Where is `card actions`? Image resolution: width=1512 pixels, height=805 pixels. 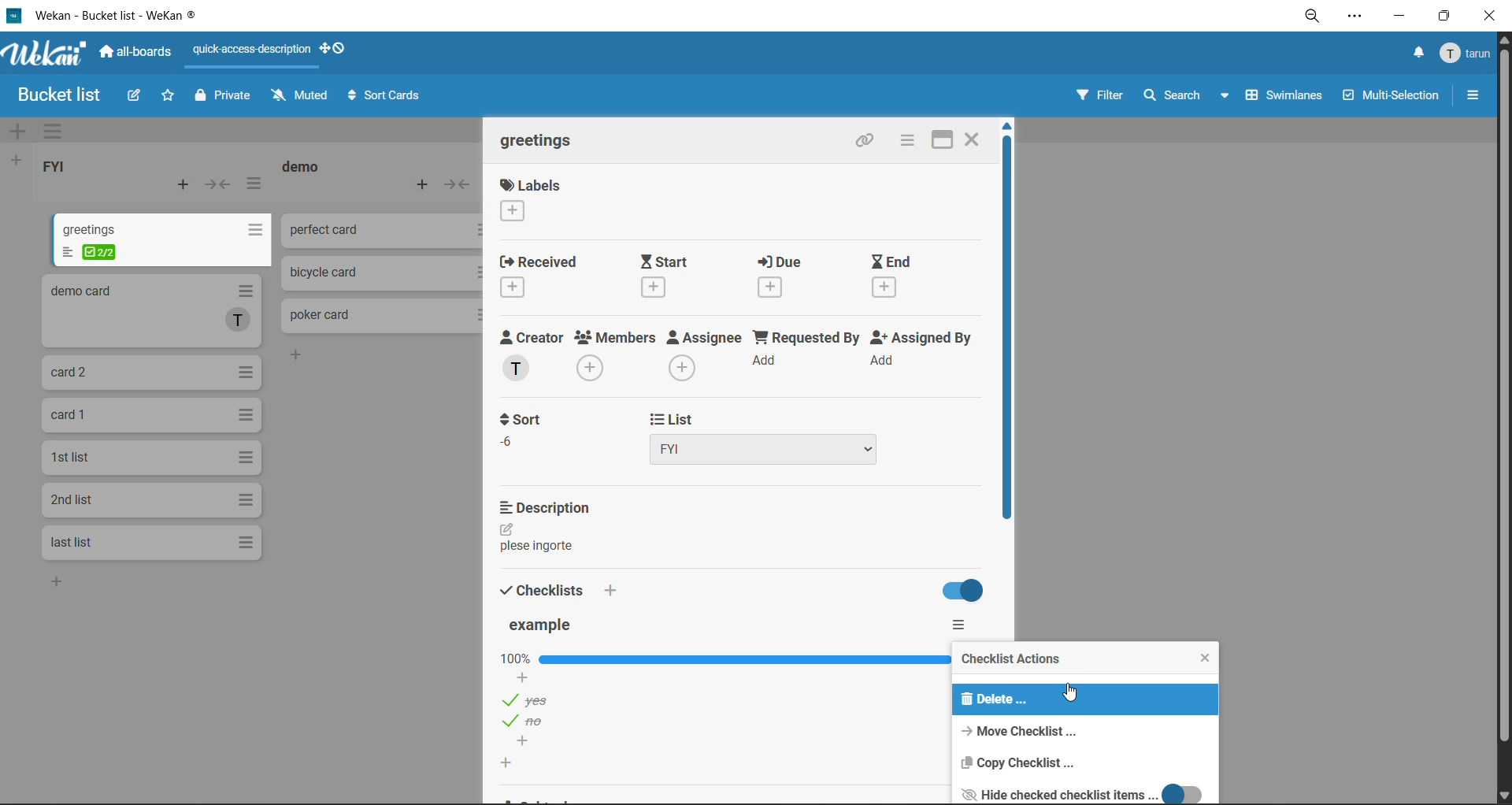
card actions is located at coordinates (906, 139).